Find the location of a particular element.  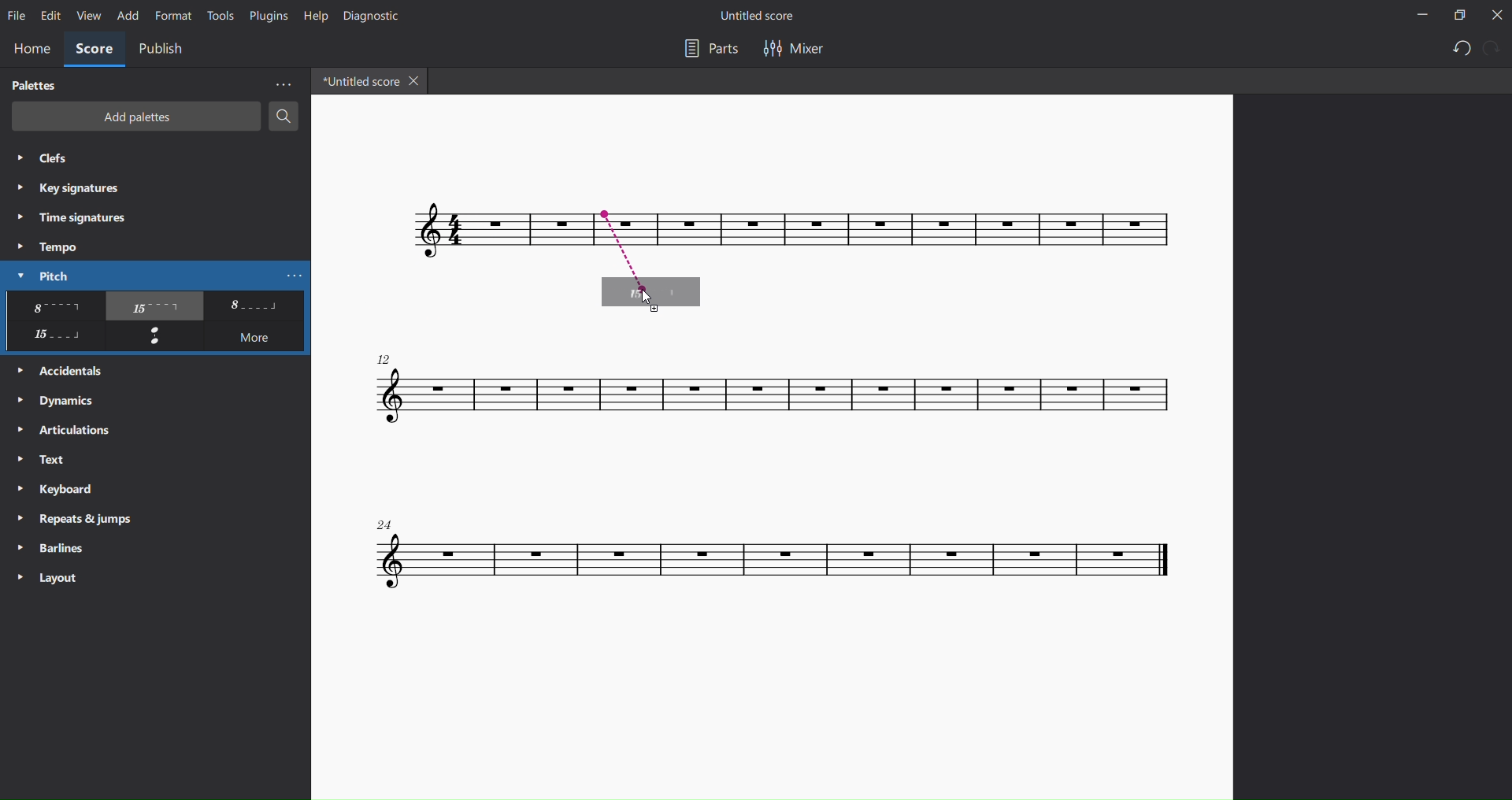

mixer is located at coordinates (799, 50).